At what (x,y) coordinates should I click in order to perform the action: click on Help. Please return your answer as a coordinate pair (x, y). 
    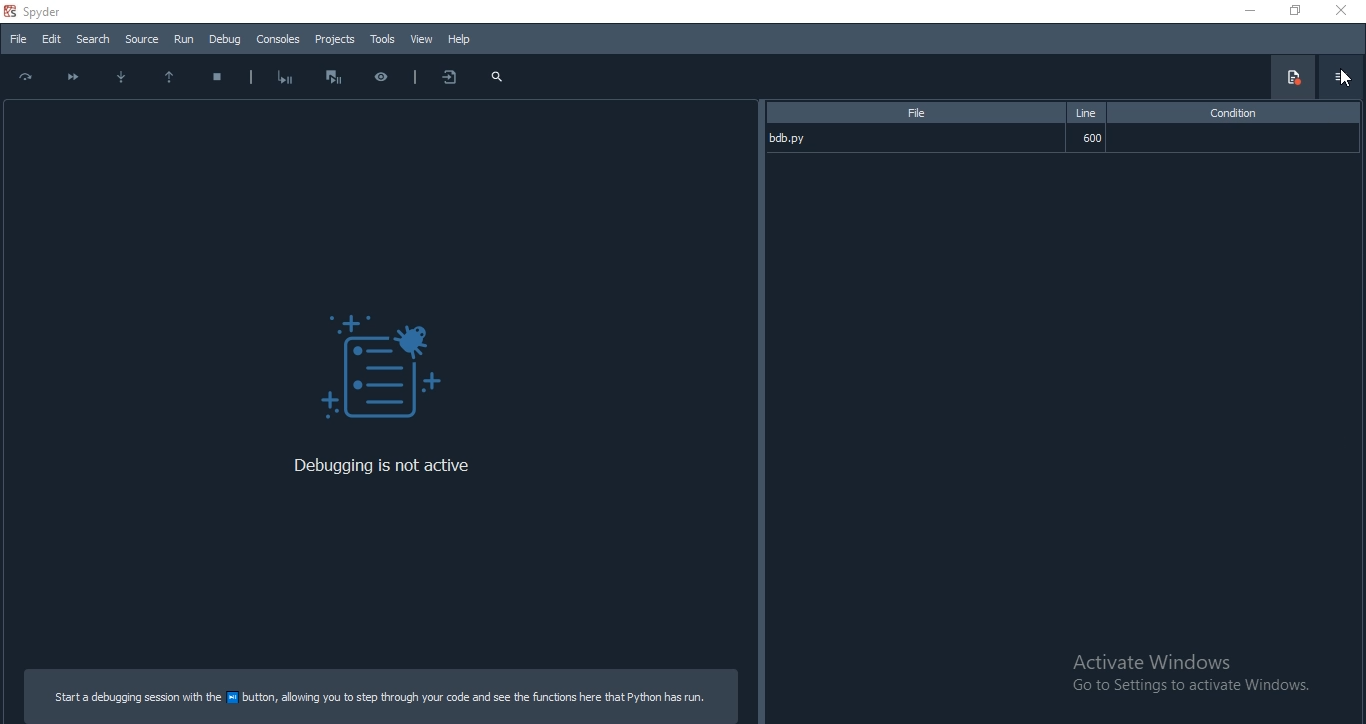
    Looking at the image, I should click on (464, 39).